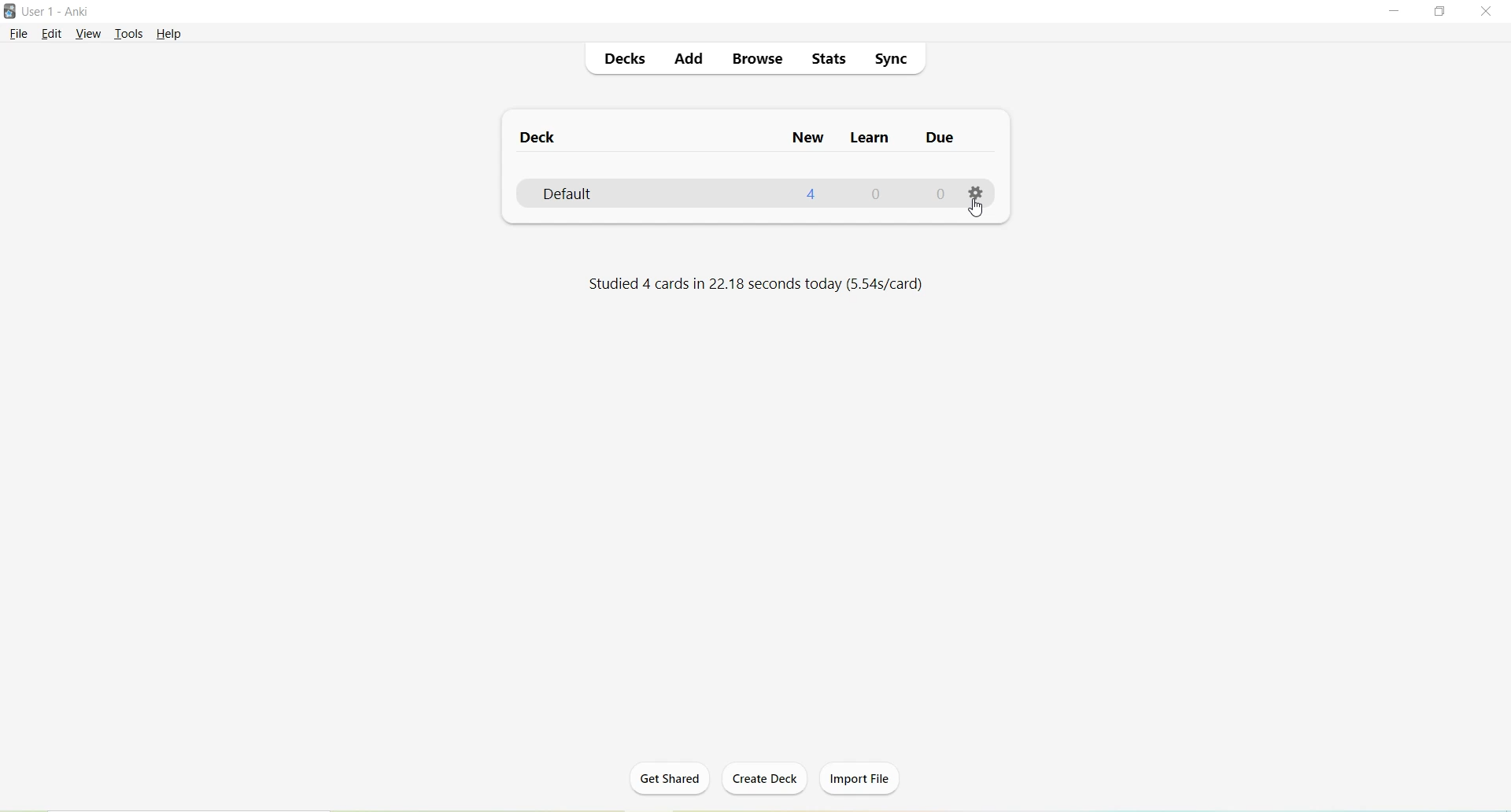  I want to click on Tools, so click(132, 34).